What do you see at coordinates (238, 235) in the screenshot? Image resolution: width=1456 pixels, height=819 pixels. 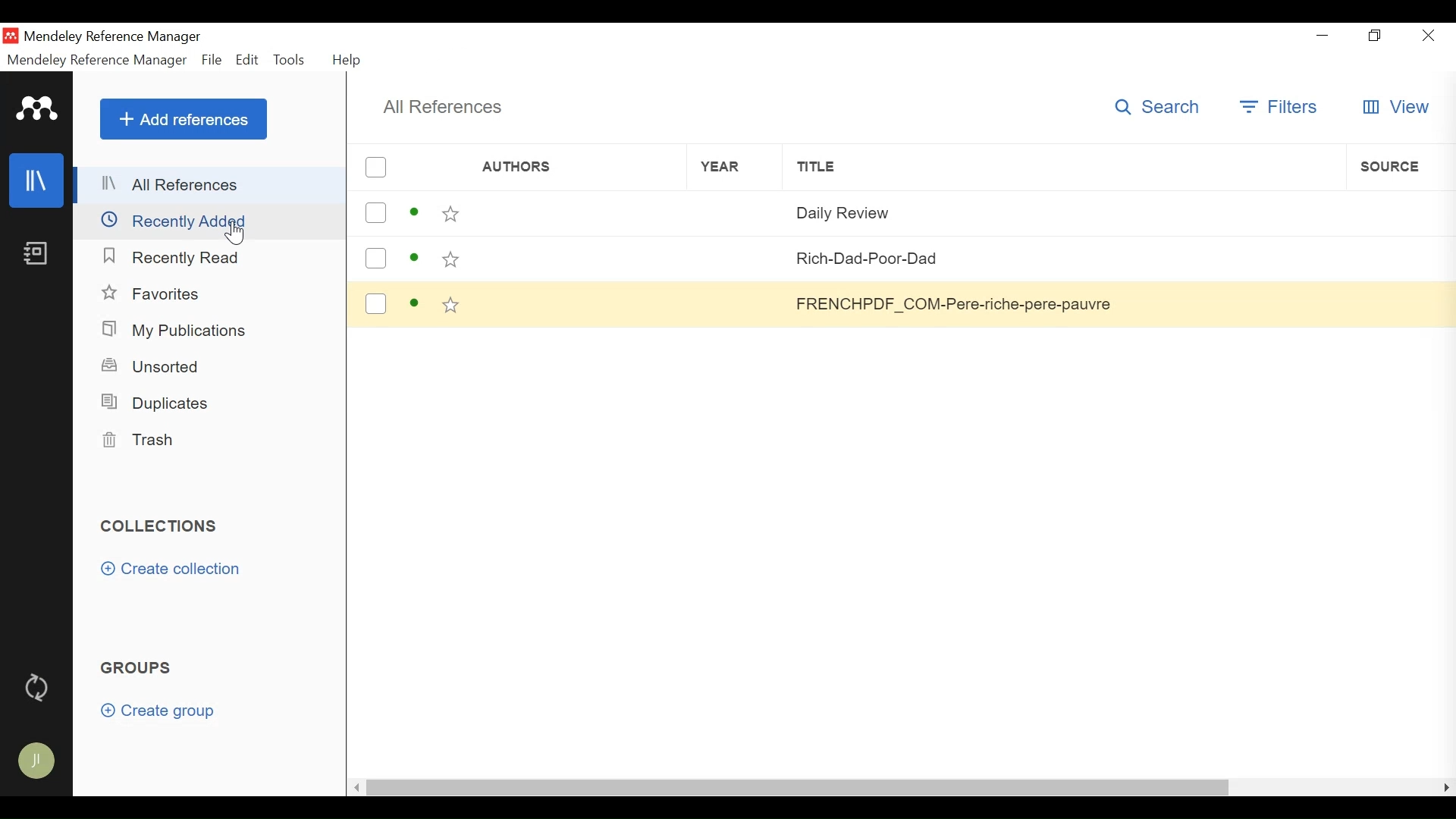 I see `Cursor on recently added ` at bounding box center [238, 235].